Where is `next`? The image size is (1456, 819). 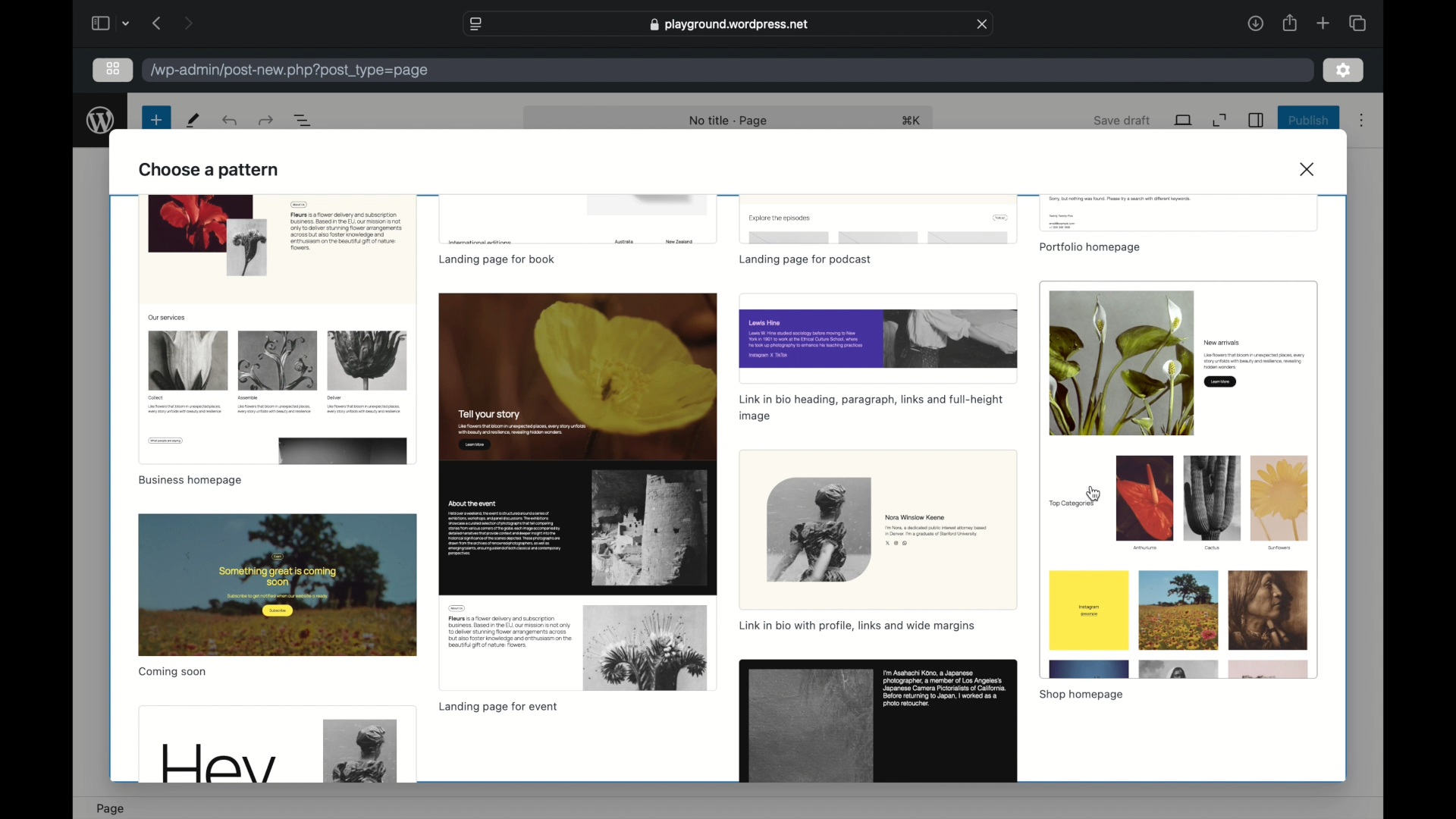
next is located at coordinates (188, 23).